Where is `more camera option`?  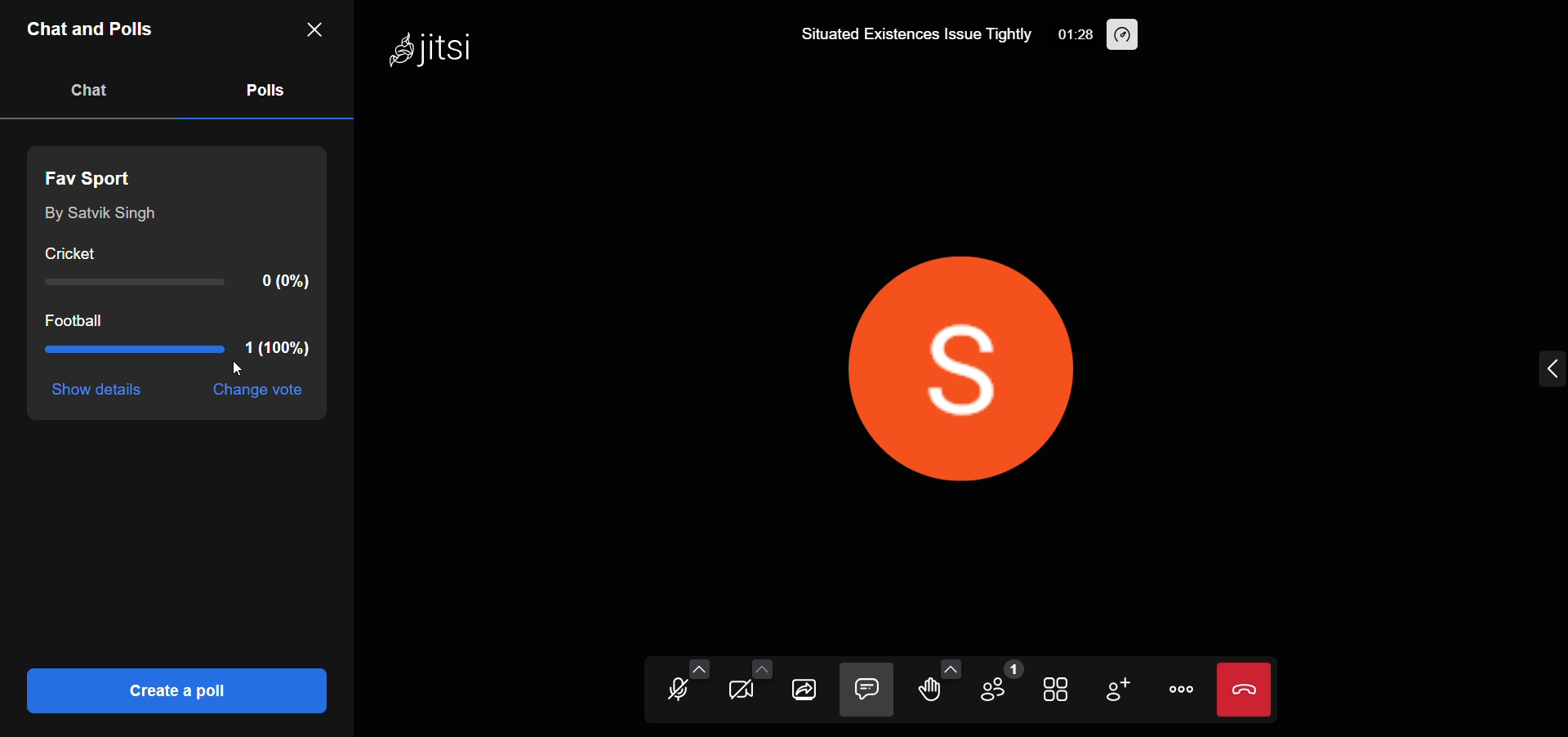 more camera option is located at coordinates (759, 667).